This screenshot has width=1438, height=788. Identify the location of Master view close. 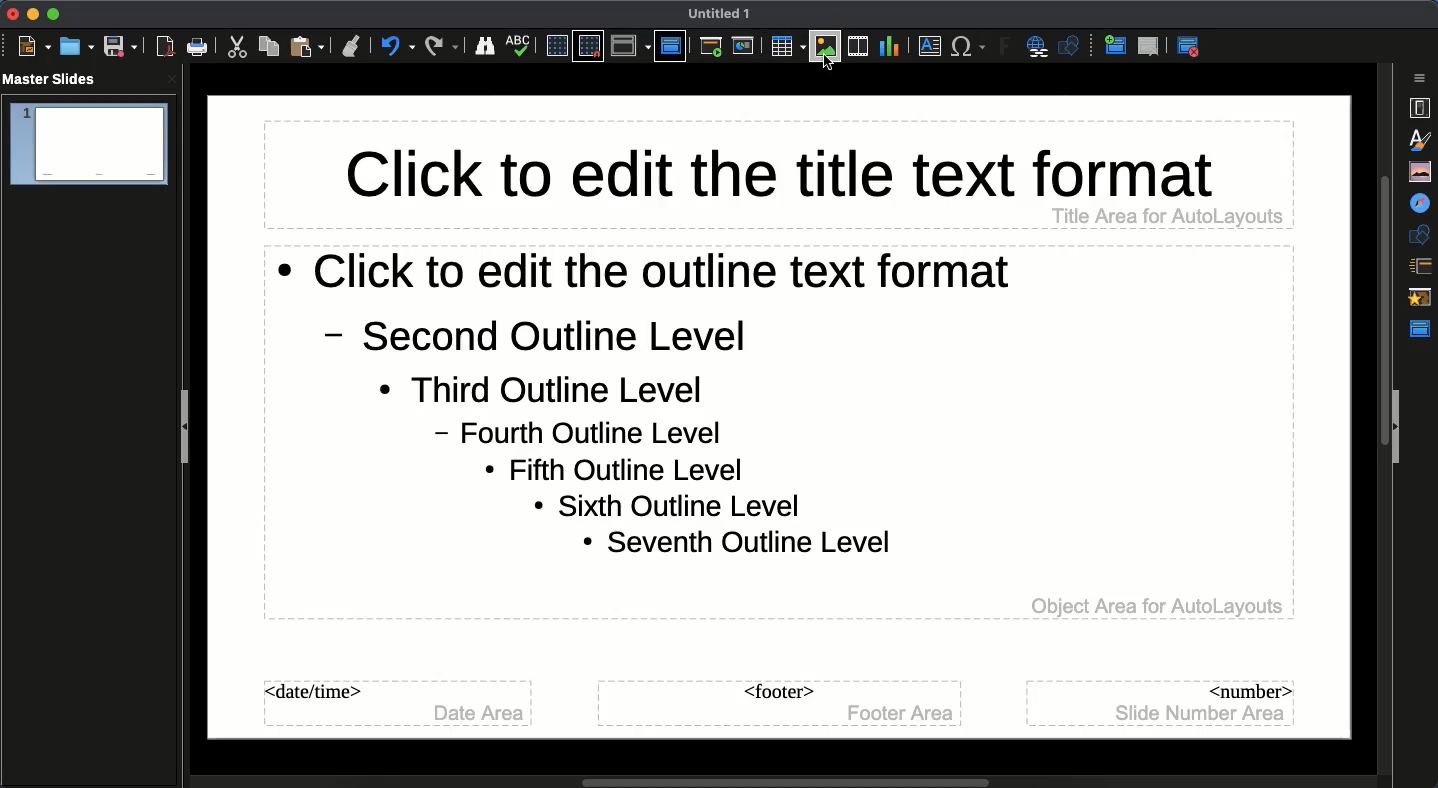
(1192, 46).